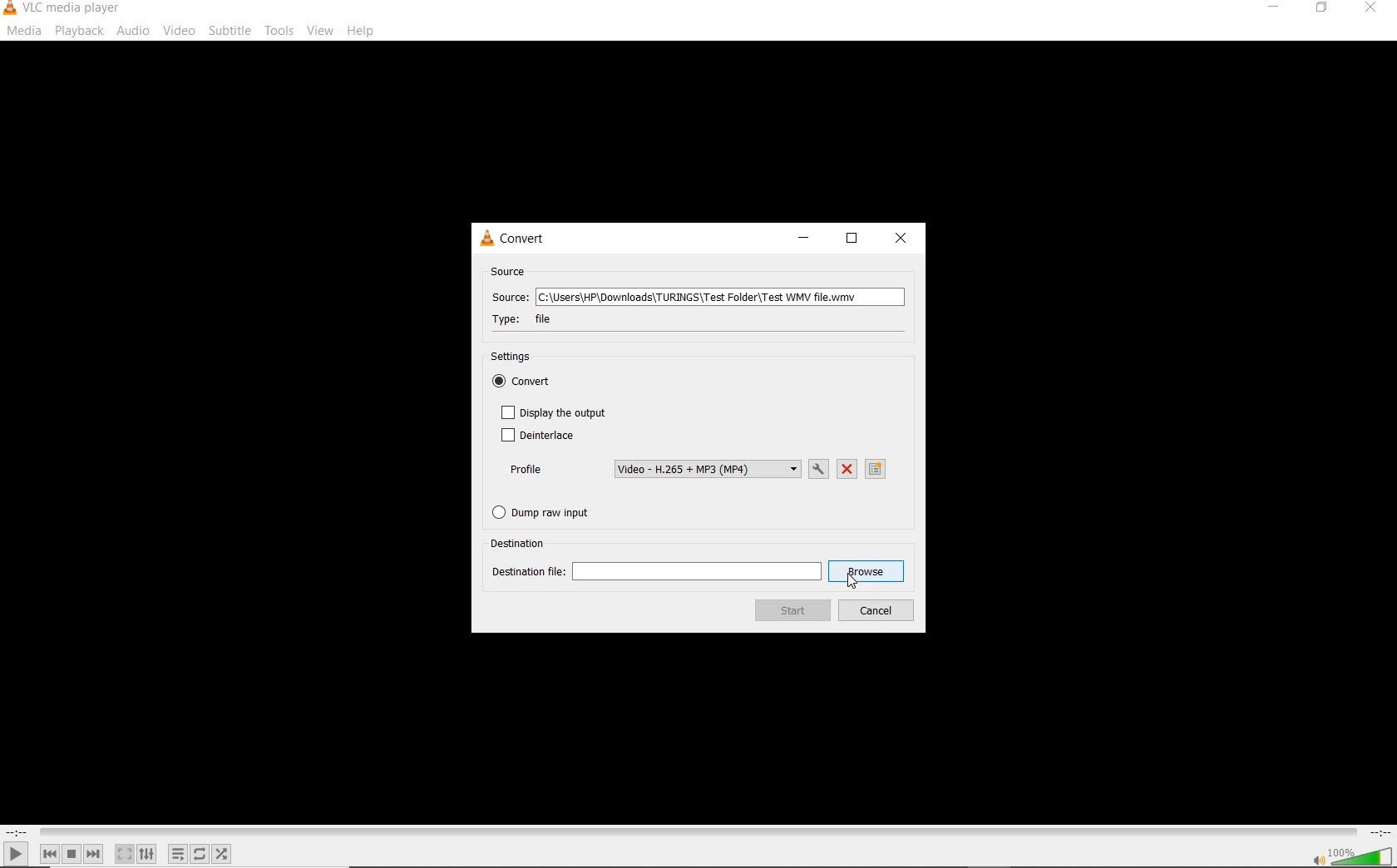  Describe the element at coordinates (536, 436) in the screenshot. I see `Deinterlace` at that location.